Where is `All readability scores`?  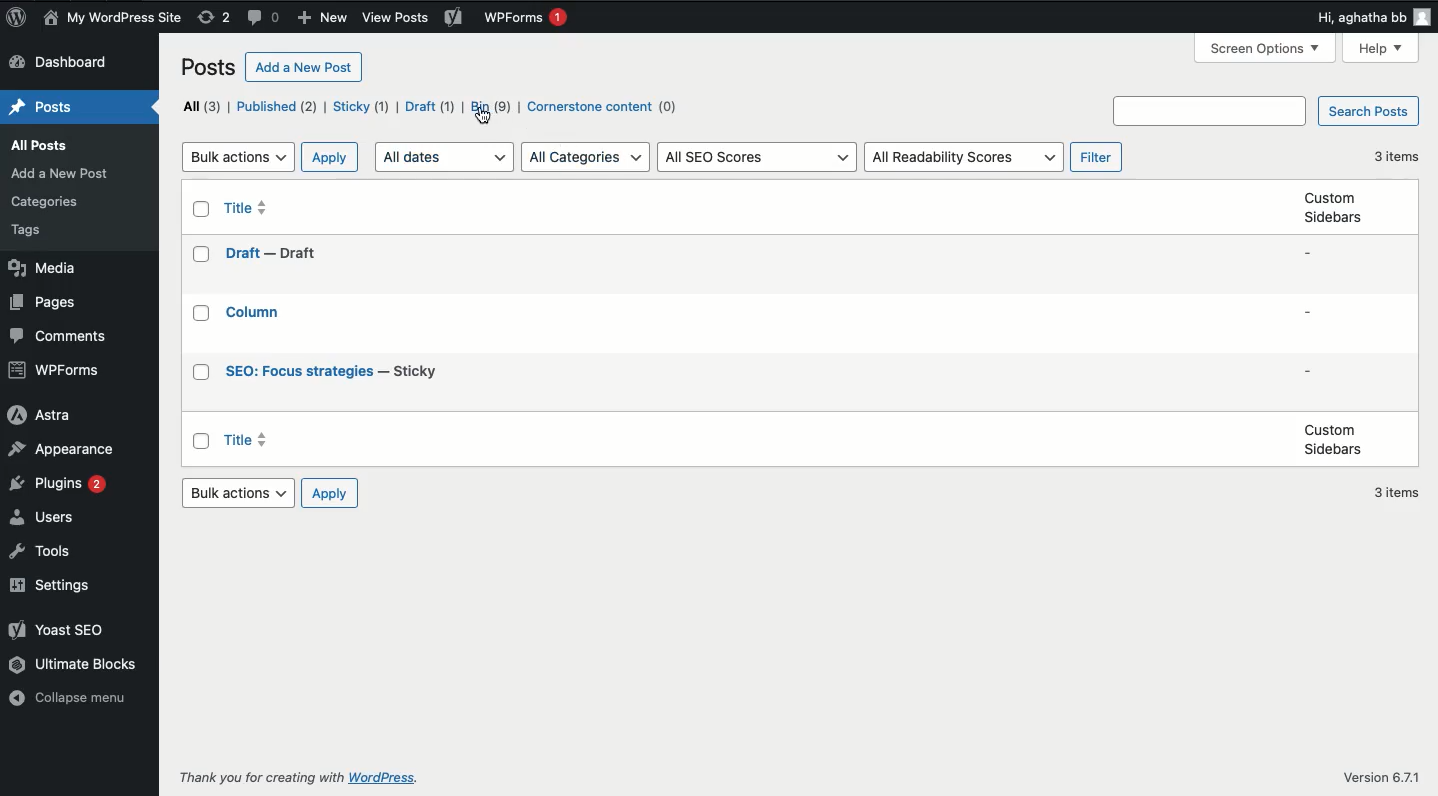
All readability scores is located at coordinates (968, 158).